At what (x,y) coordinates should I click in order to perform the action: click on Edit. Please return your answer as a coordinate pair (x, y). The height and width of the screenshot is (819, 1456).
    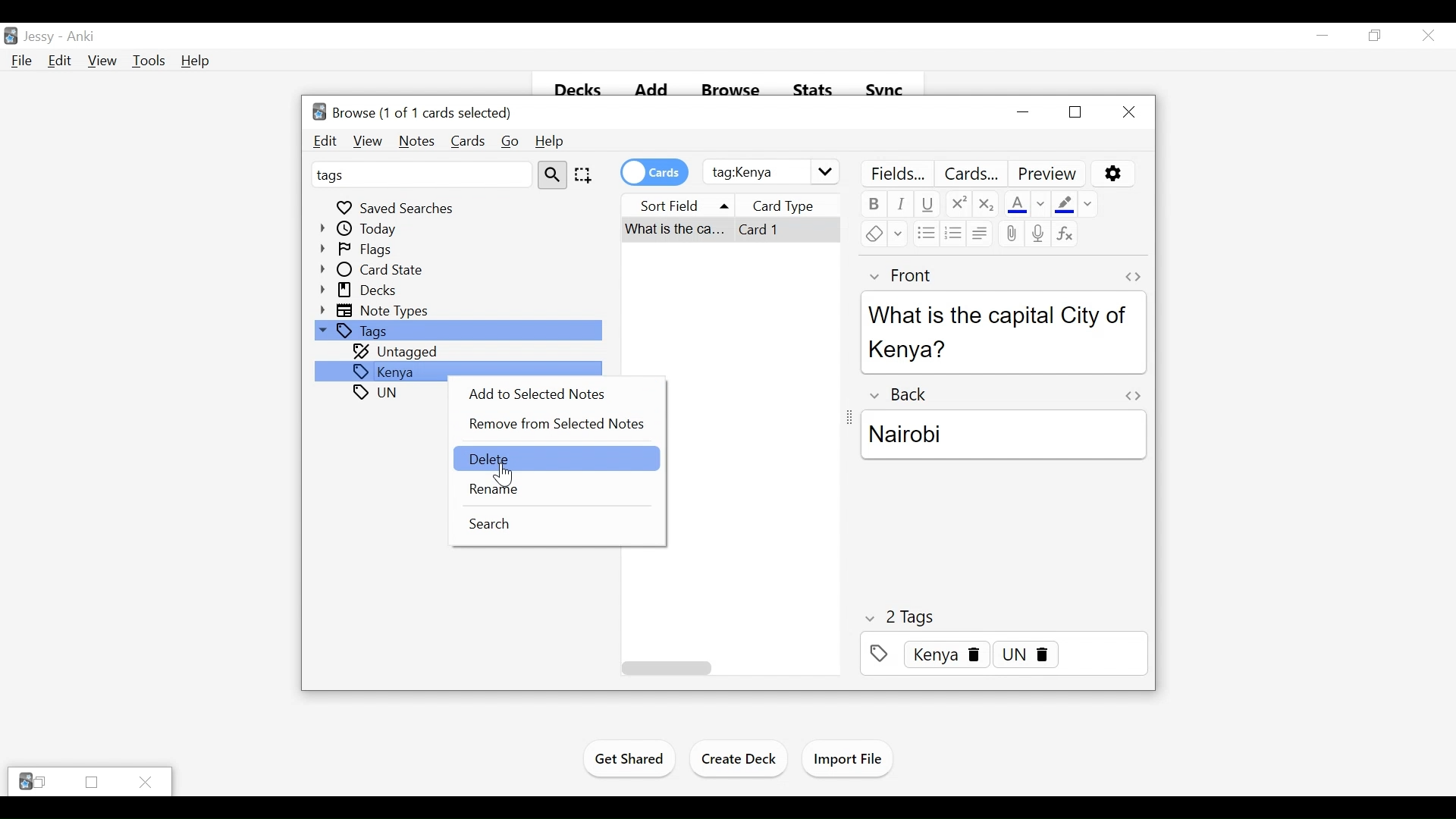
    Looking at the image, I should click on (326, 142).